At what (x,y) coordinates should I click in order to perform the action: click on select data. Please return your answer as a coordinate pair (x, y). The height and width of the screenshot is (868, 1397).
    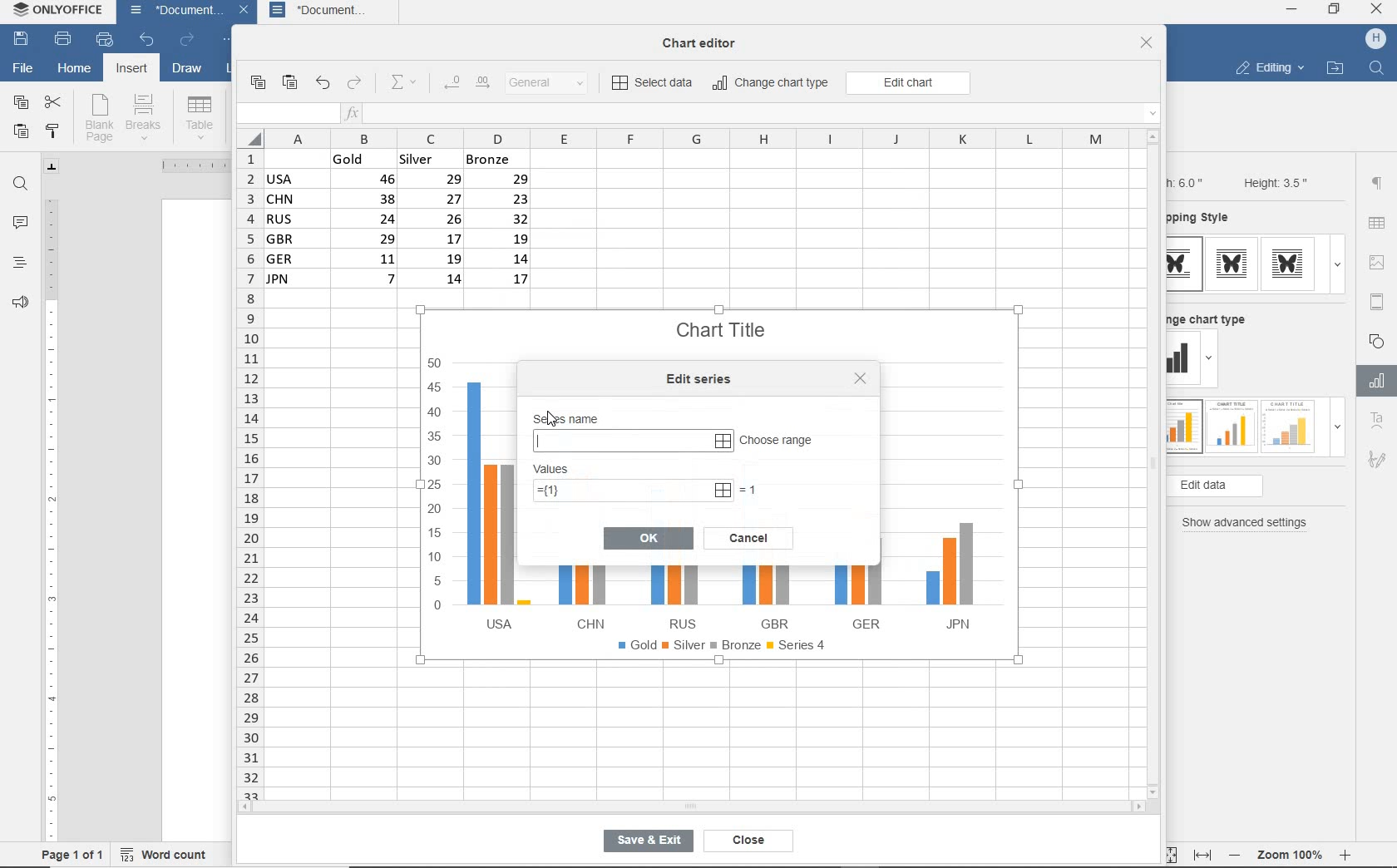
    Looking at the image, I should click on (654, 84).